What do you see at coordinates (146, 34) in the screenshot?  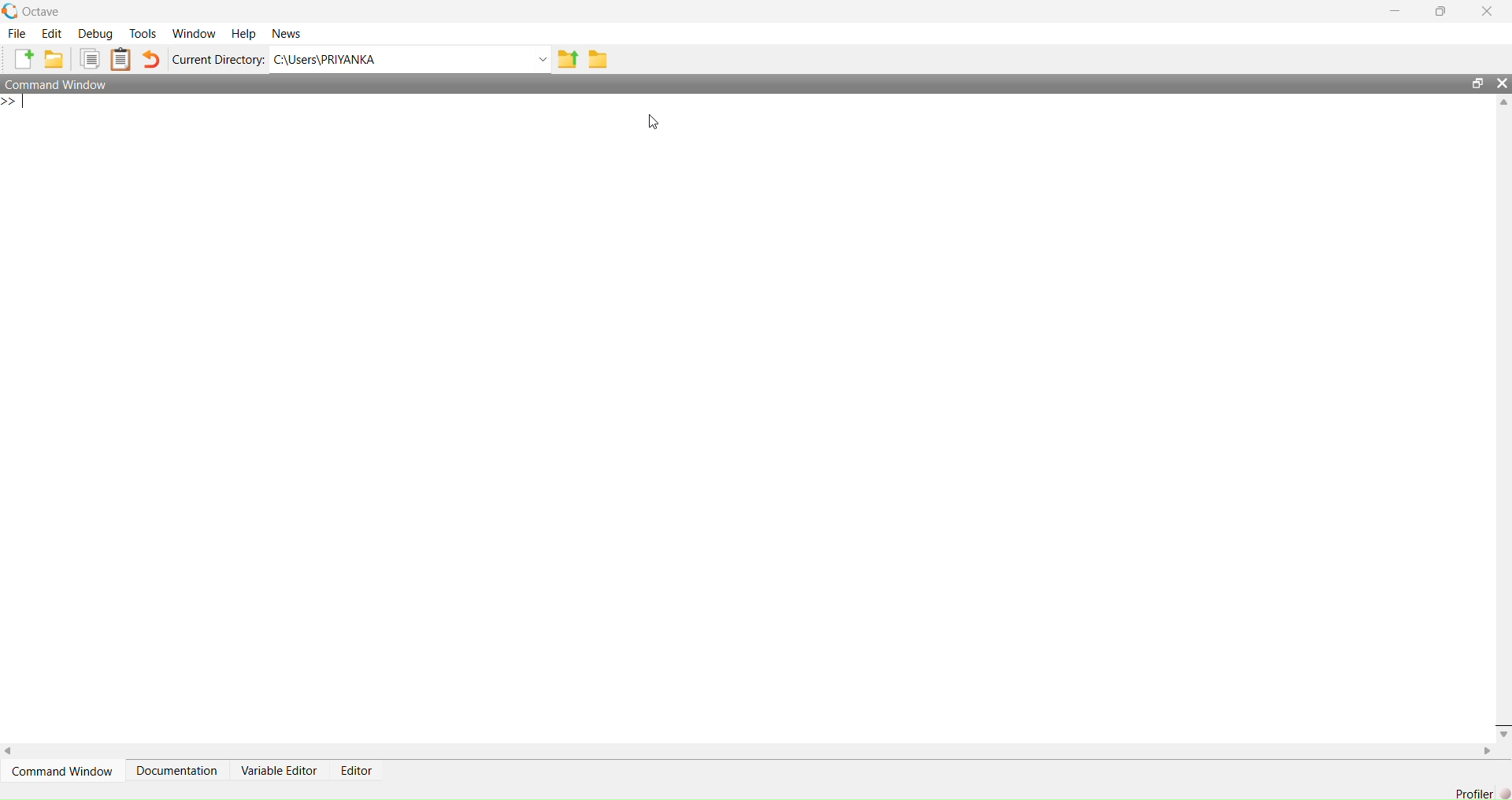 I see `Tools` at bounding box center [146, 34].